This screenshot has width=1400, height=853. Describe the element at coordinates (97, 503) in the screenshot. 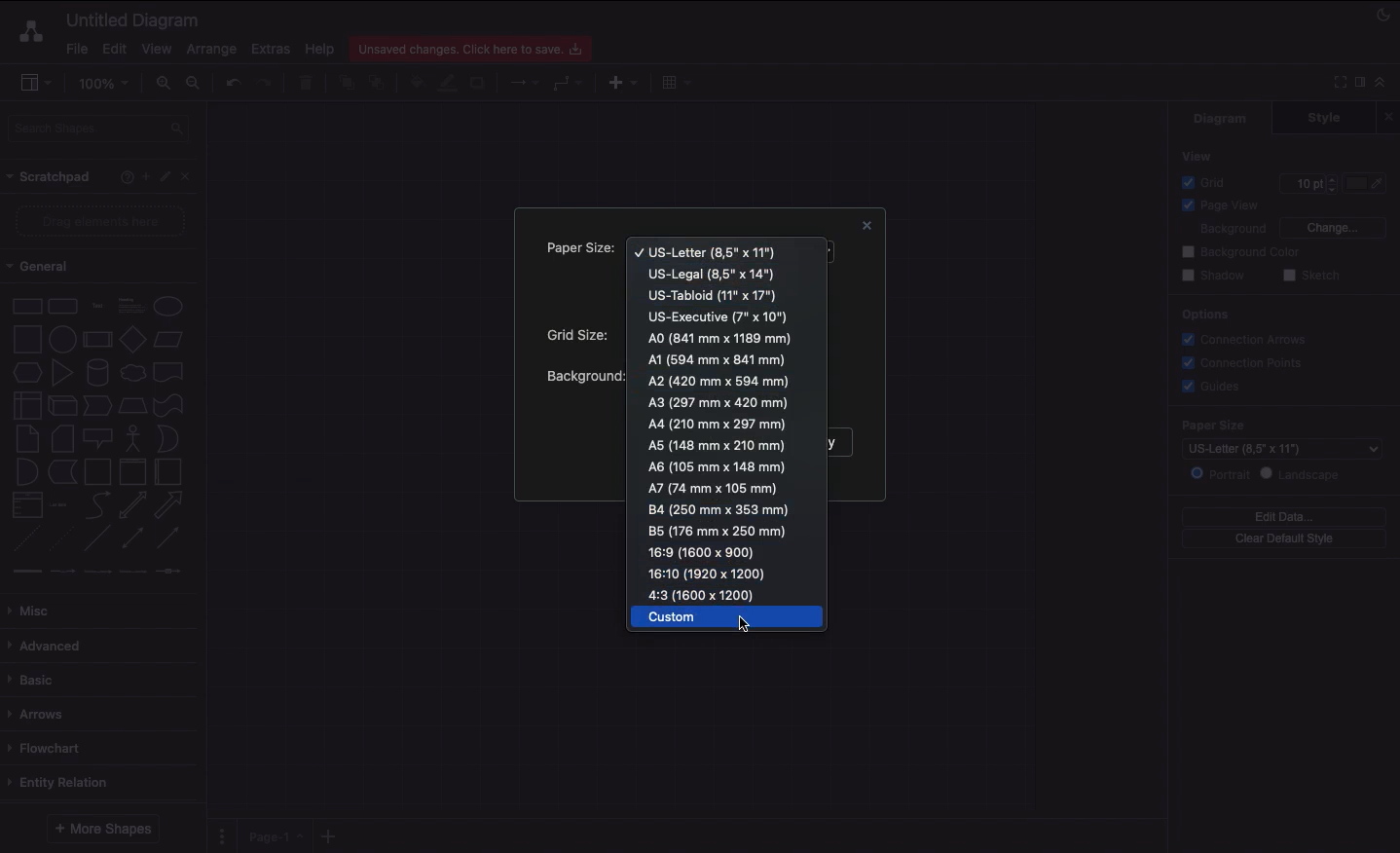

I see `Curved arrow` at that location.